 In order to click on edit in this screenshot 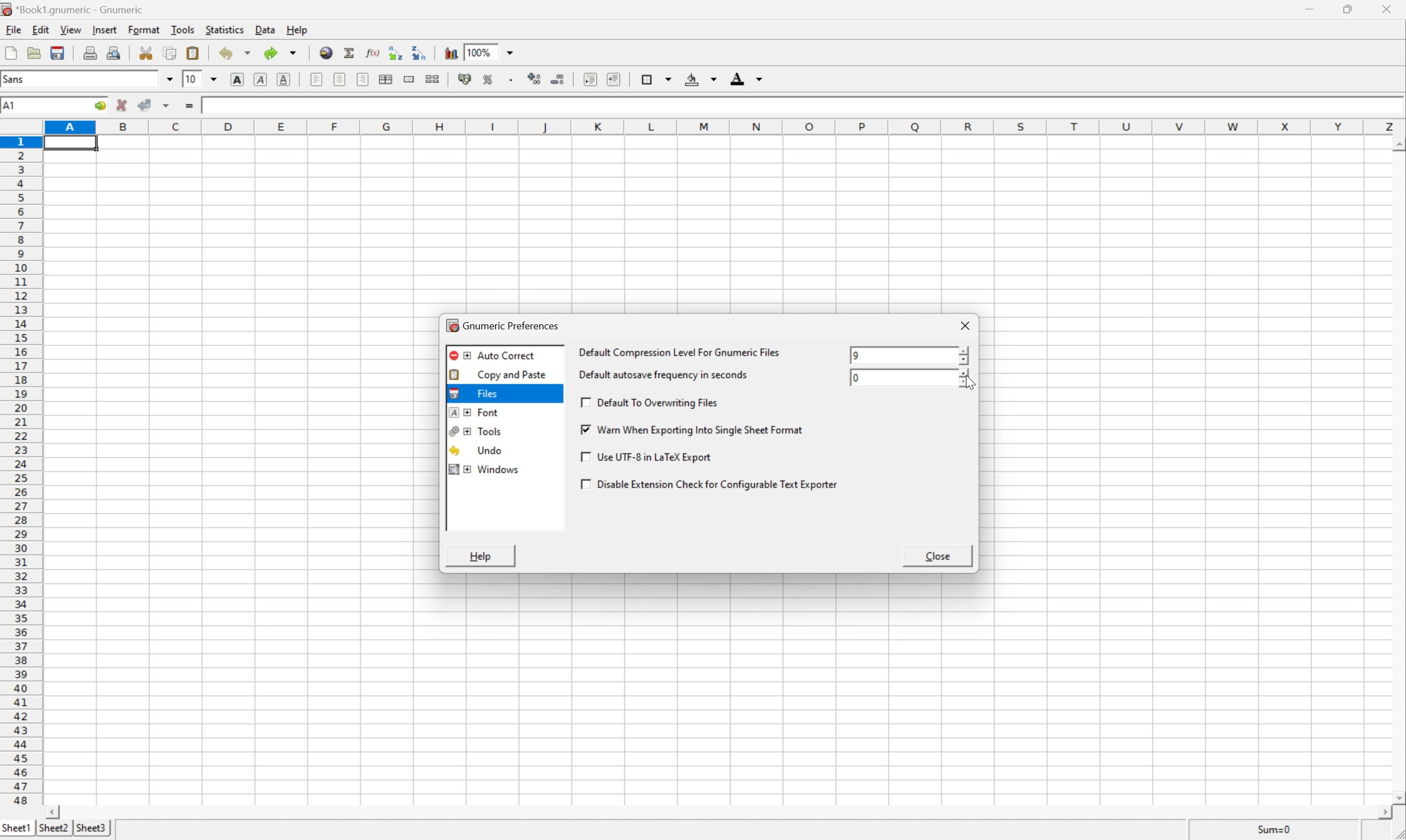, I will do `click(40, 30)`.